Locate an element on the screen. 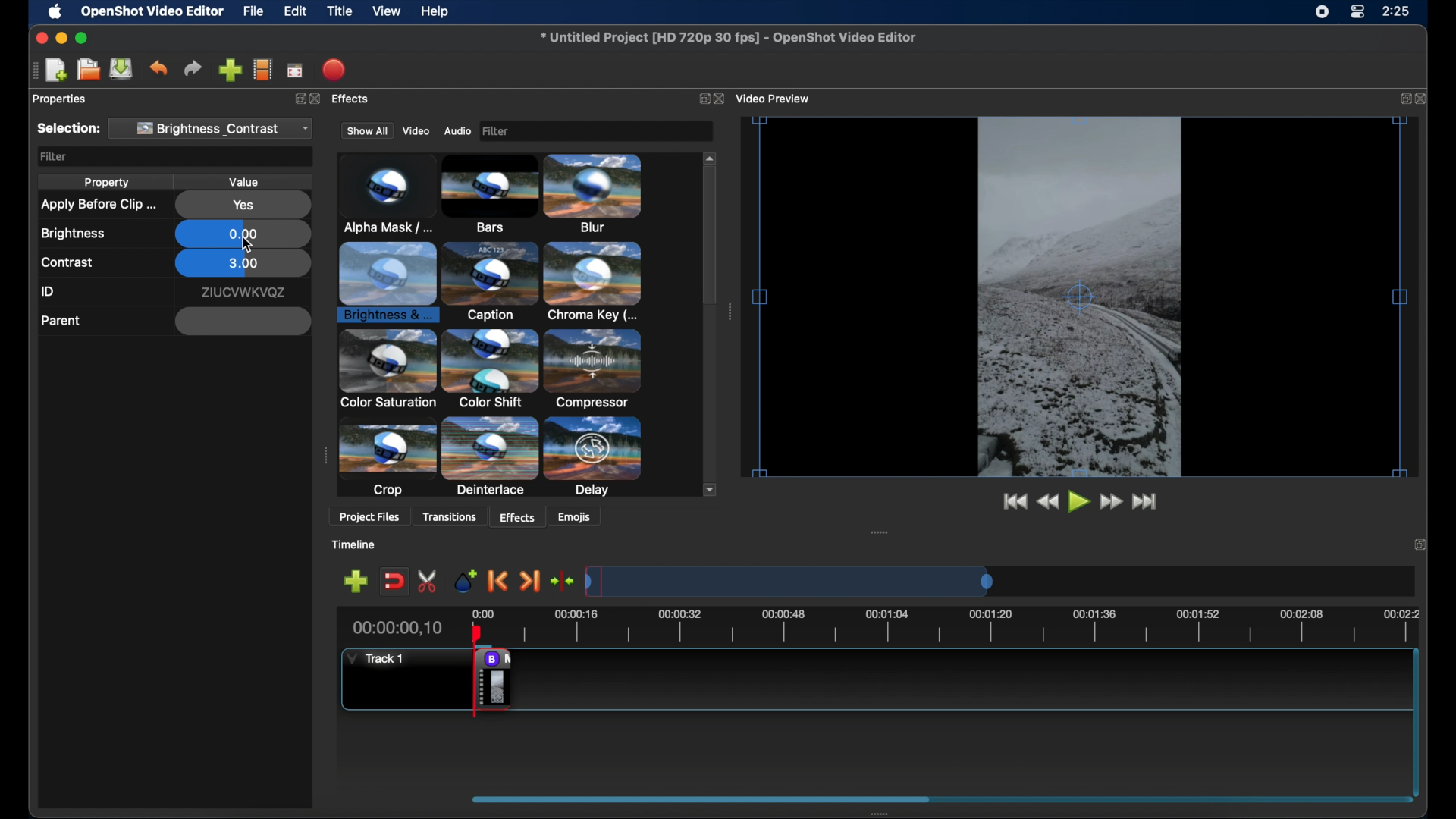  play button is located at coordinates (1078, 503).